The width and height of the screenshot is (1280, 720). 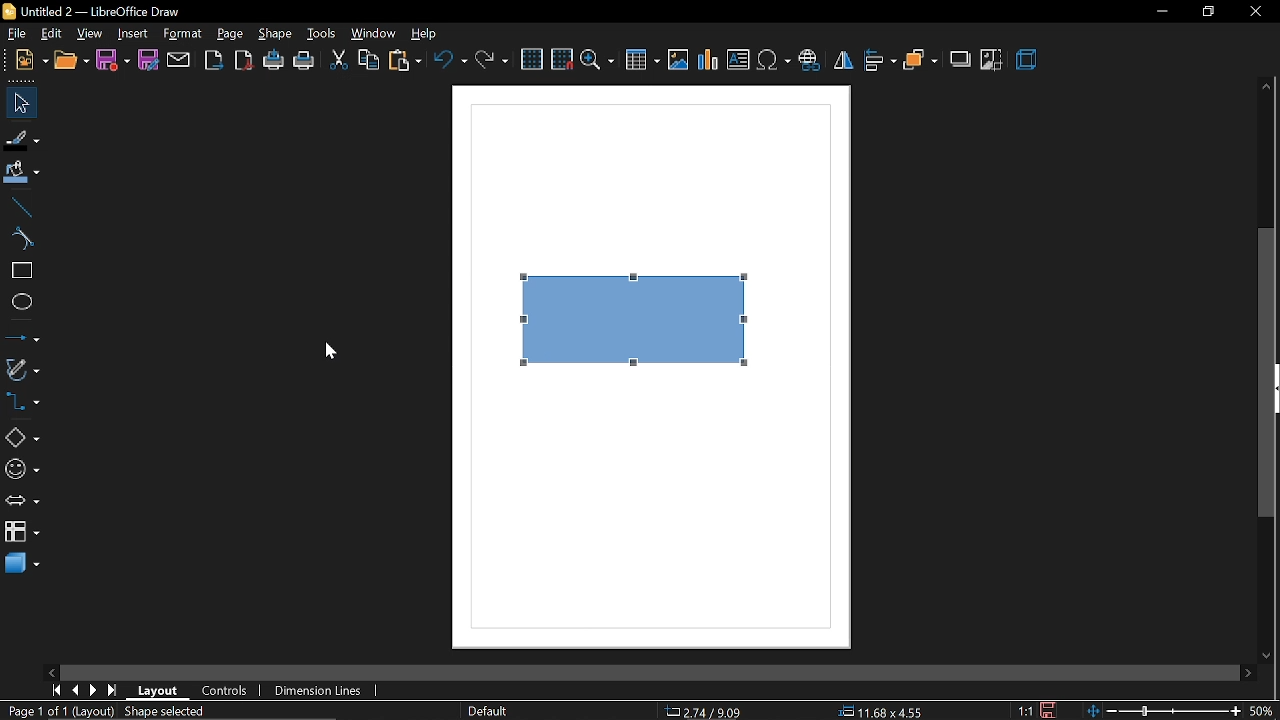 What do you see at coordinates (843, 61) in the screenshot?
I see `flip` at bounding box center [843, 61].